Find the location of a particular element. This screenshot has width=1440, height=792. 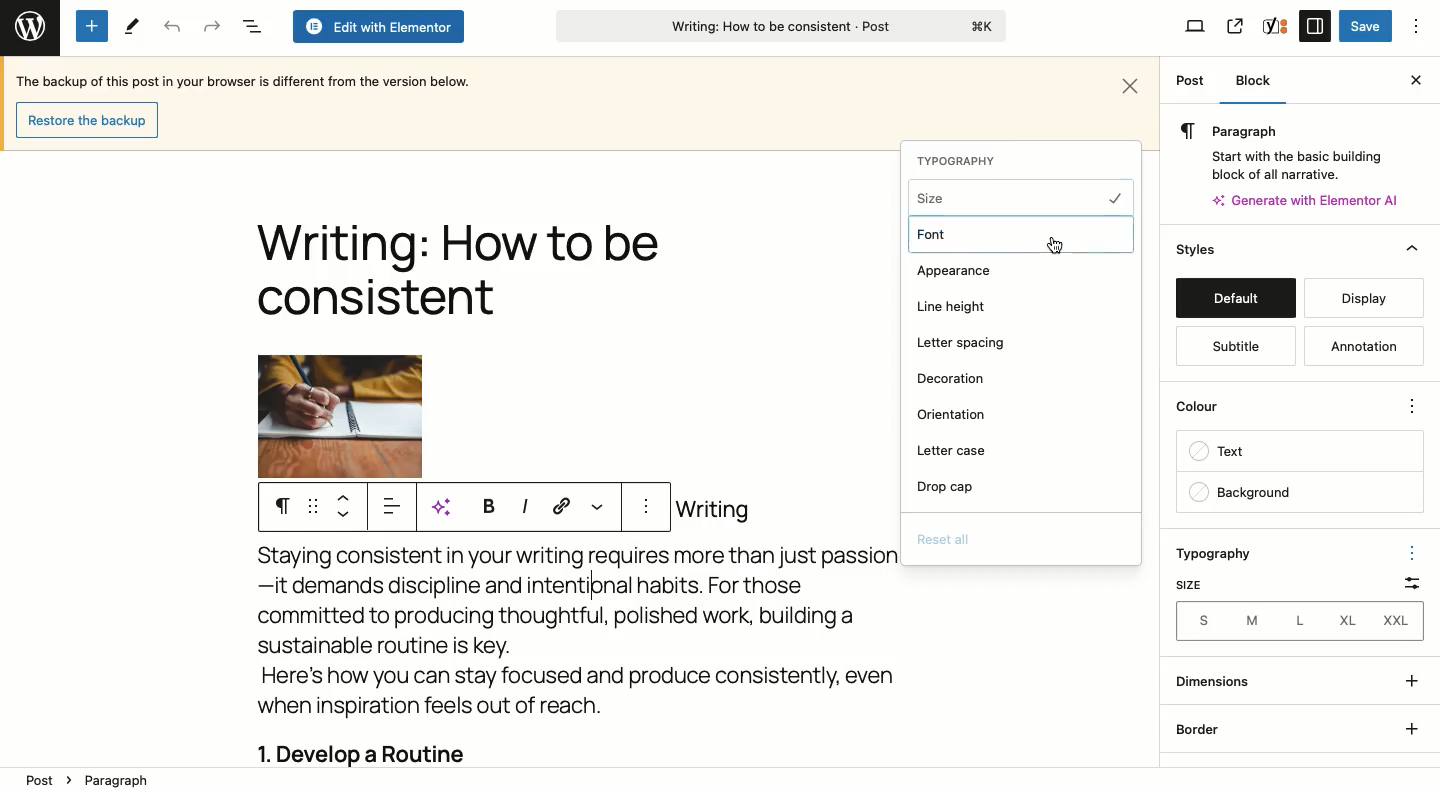

More is located at coordinates (596, 505).